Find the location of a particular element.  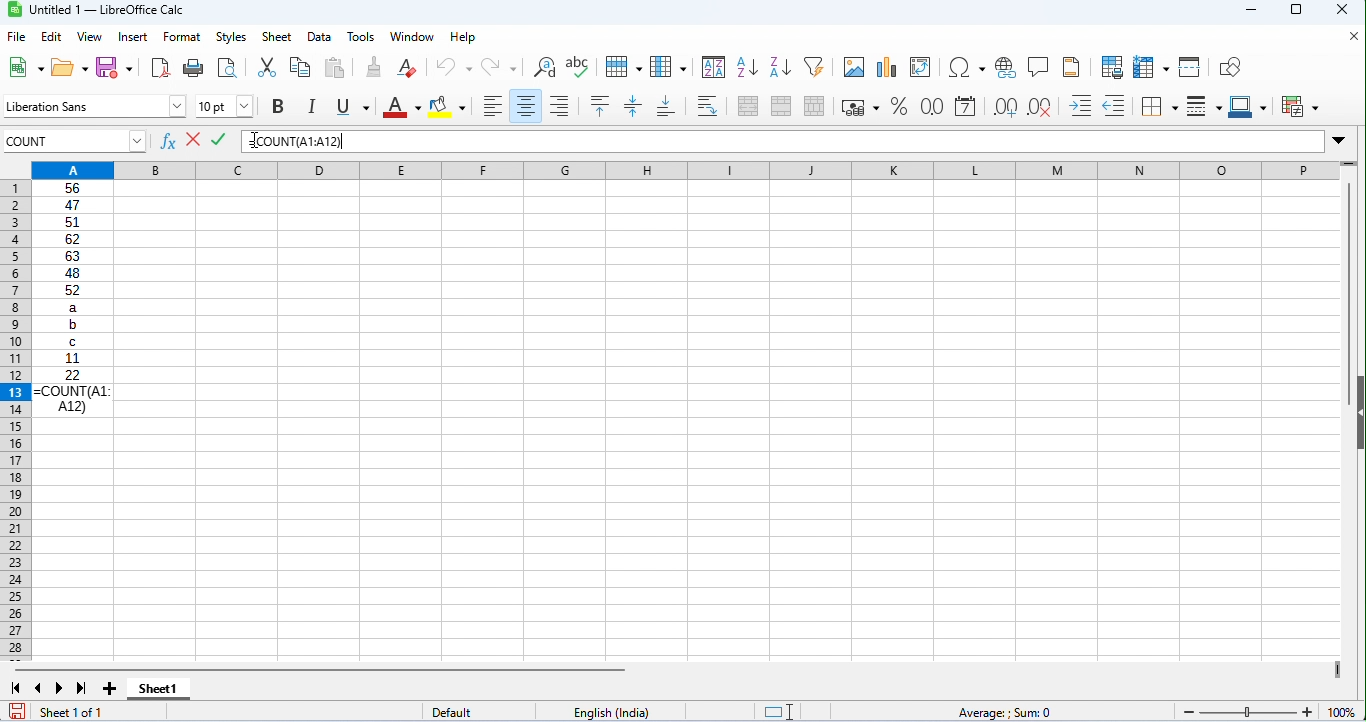

font style input is located at coordinates (84, 106).